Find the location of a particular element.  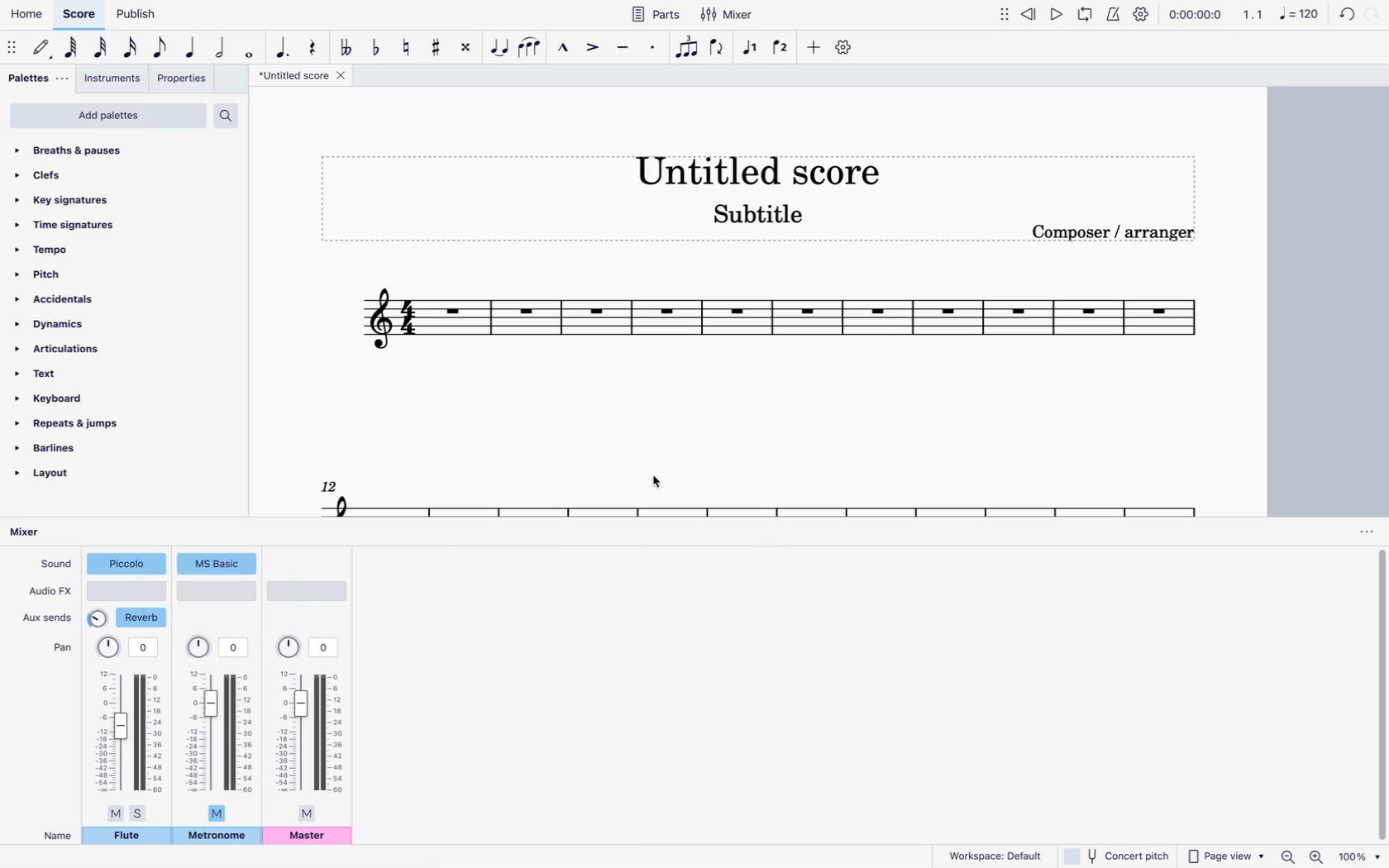

toggle double sharp is located at coordinates (469, 46).